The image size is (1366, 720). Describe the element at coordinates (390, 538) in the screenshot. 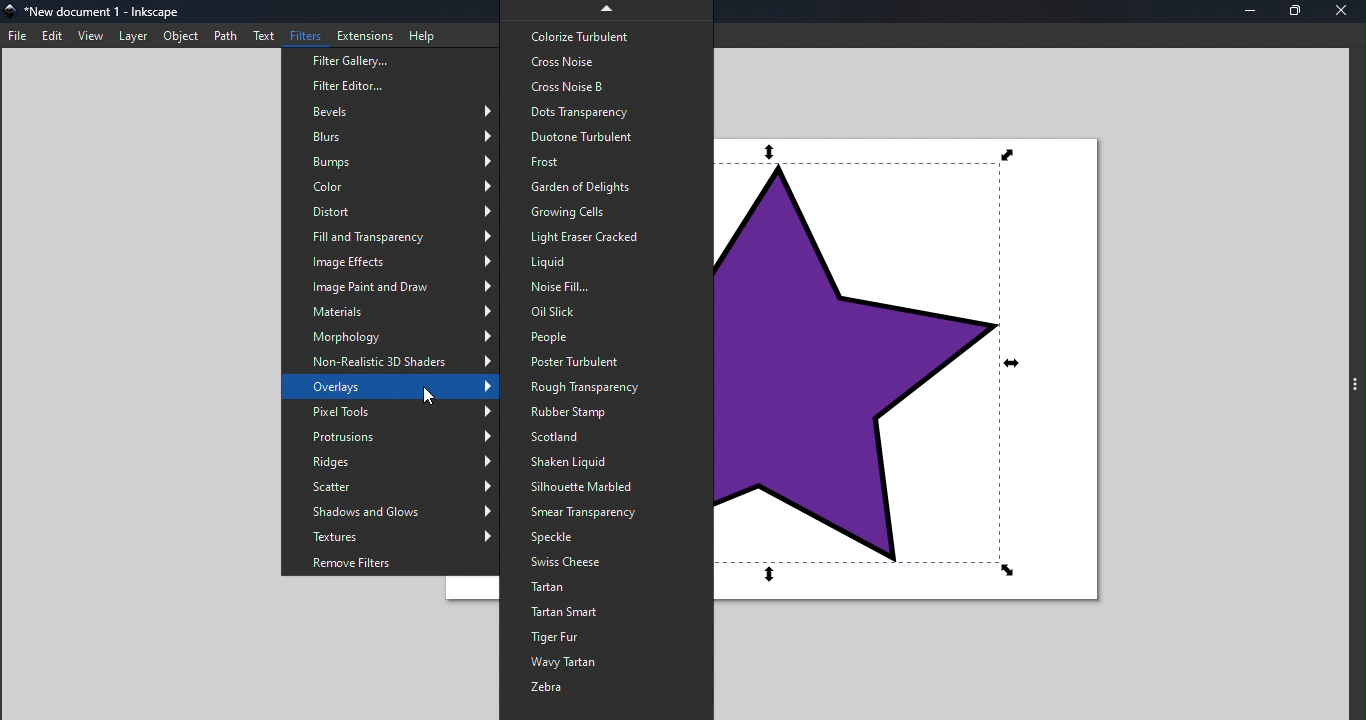

I see `Textures` at that location.